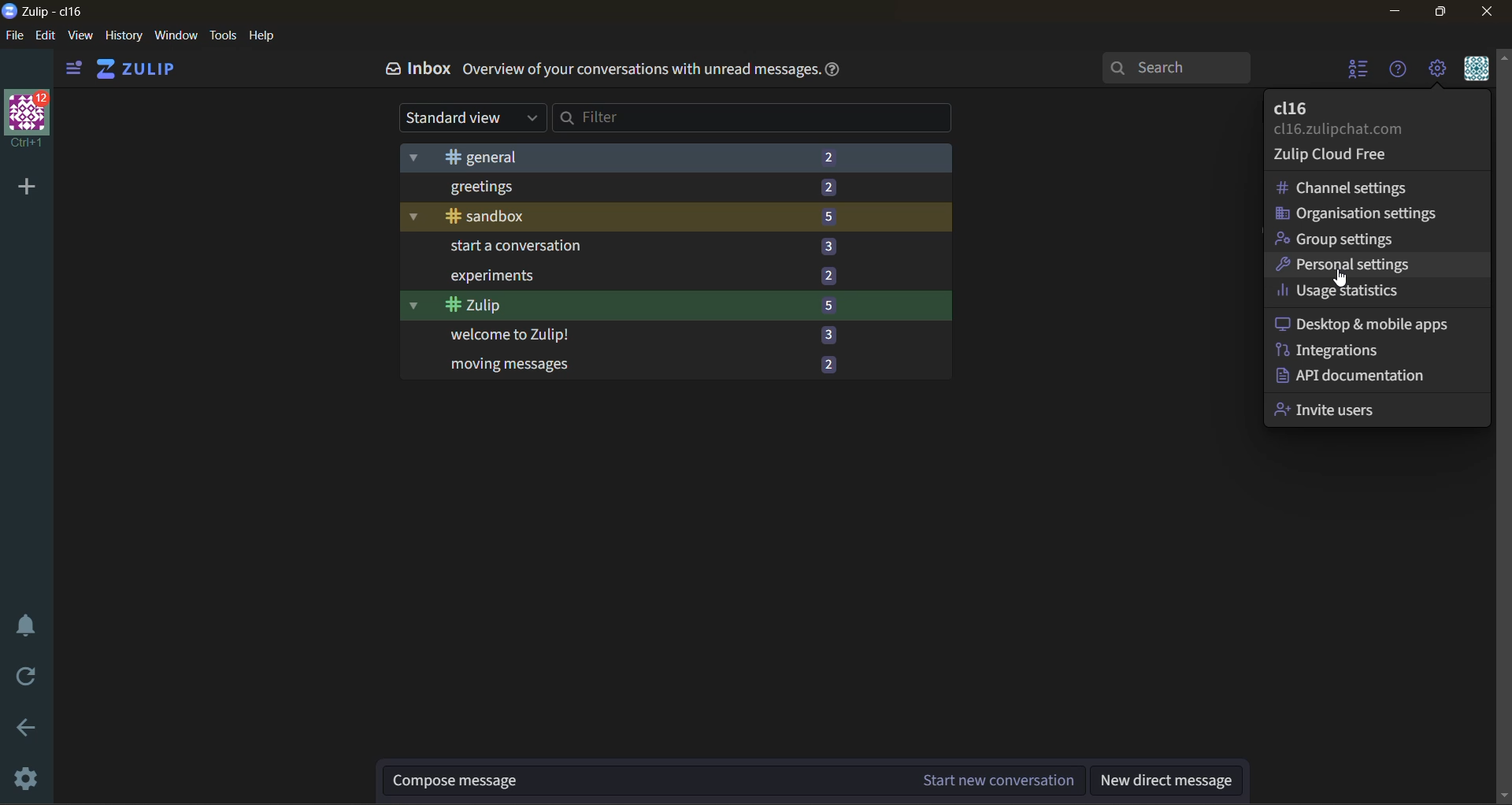 The height and width of the screenshot is (805, 1512). Describe the element at coordinates (1168, 781) in the screenshot. I see `new direct message` at that location.